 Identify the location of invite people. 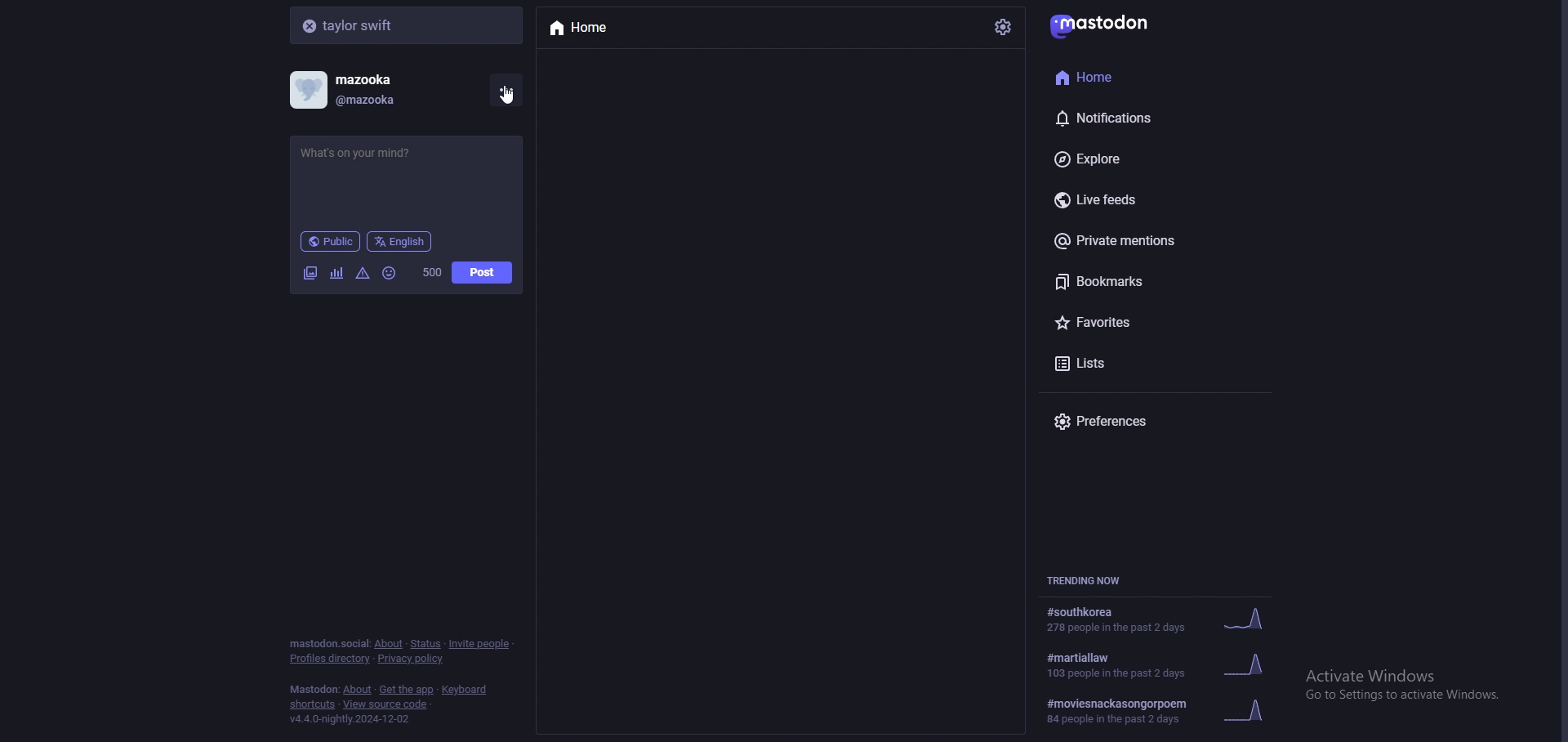
(483, 645).